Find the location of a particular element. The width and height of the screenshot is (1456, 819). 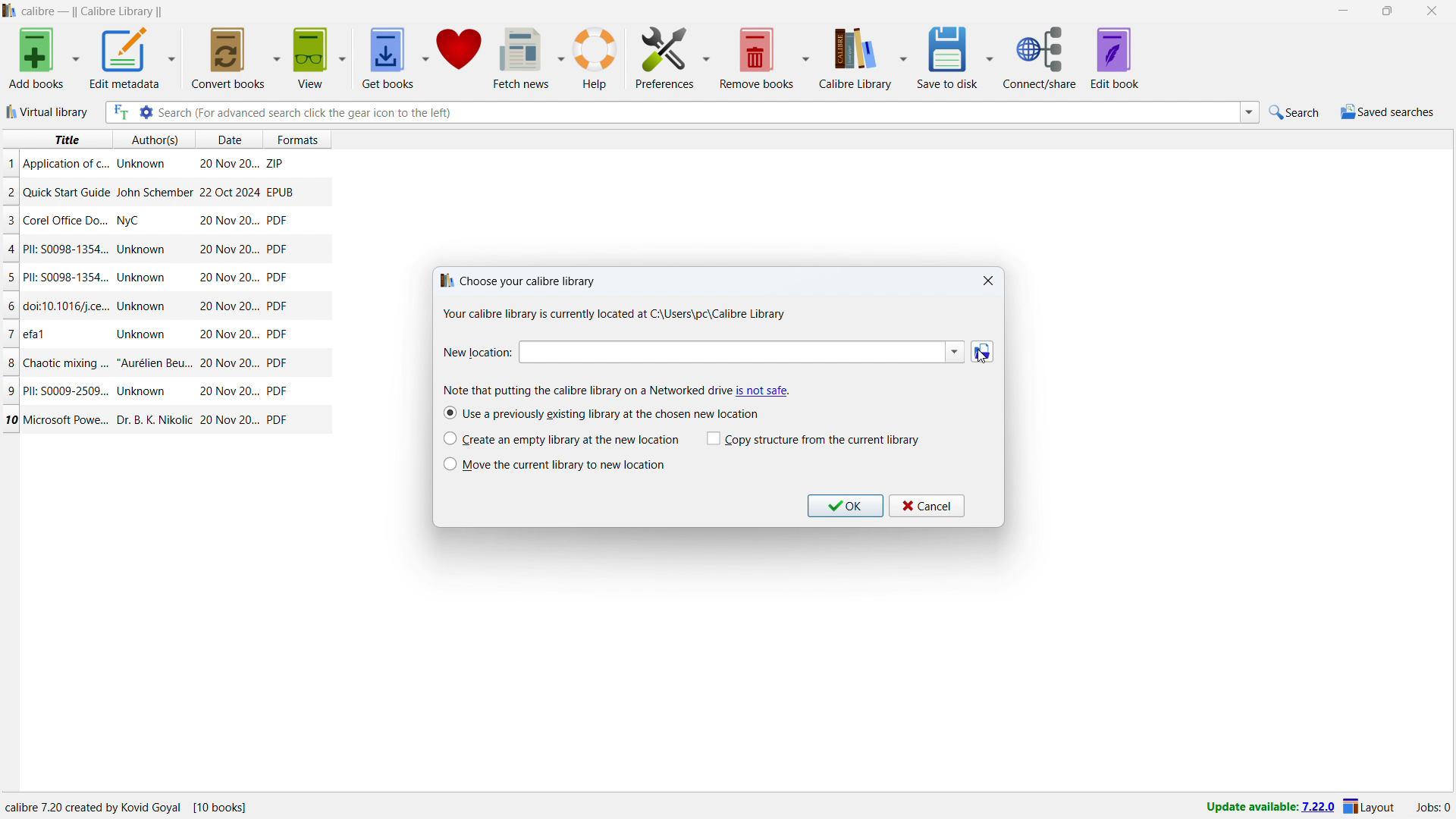

Author is located at coordinates (144, 391).